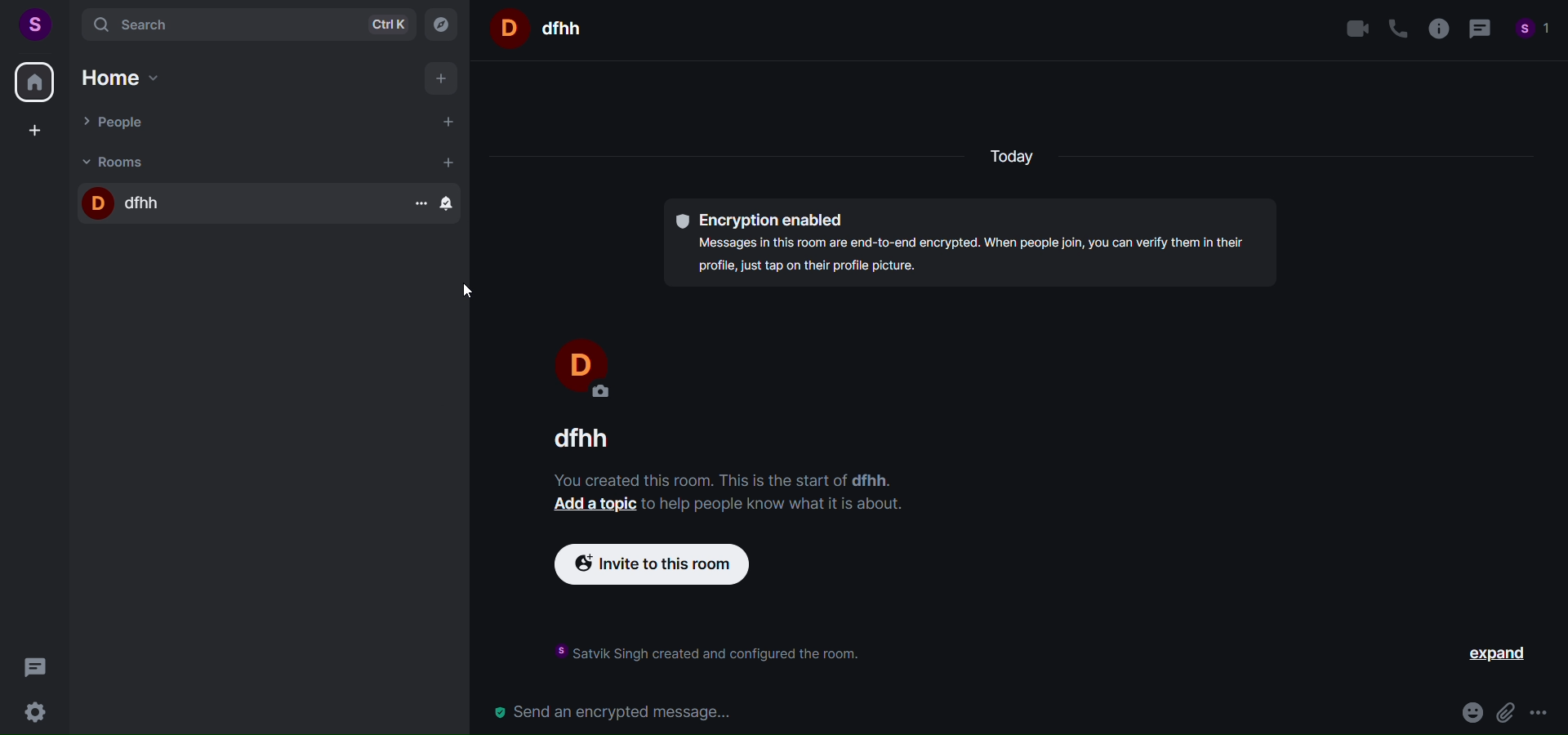 This screenshot has height=735, width=1568. What do you see at coordinates (590, 505) in the screenshot?
I see `add a topic` at bounding box center [590, 505].